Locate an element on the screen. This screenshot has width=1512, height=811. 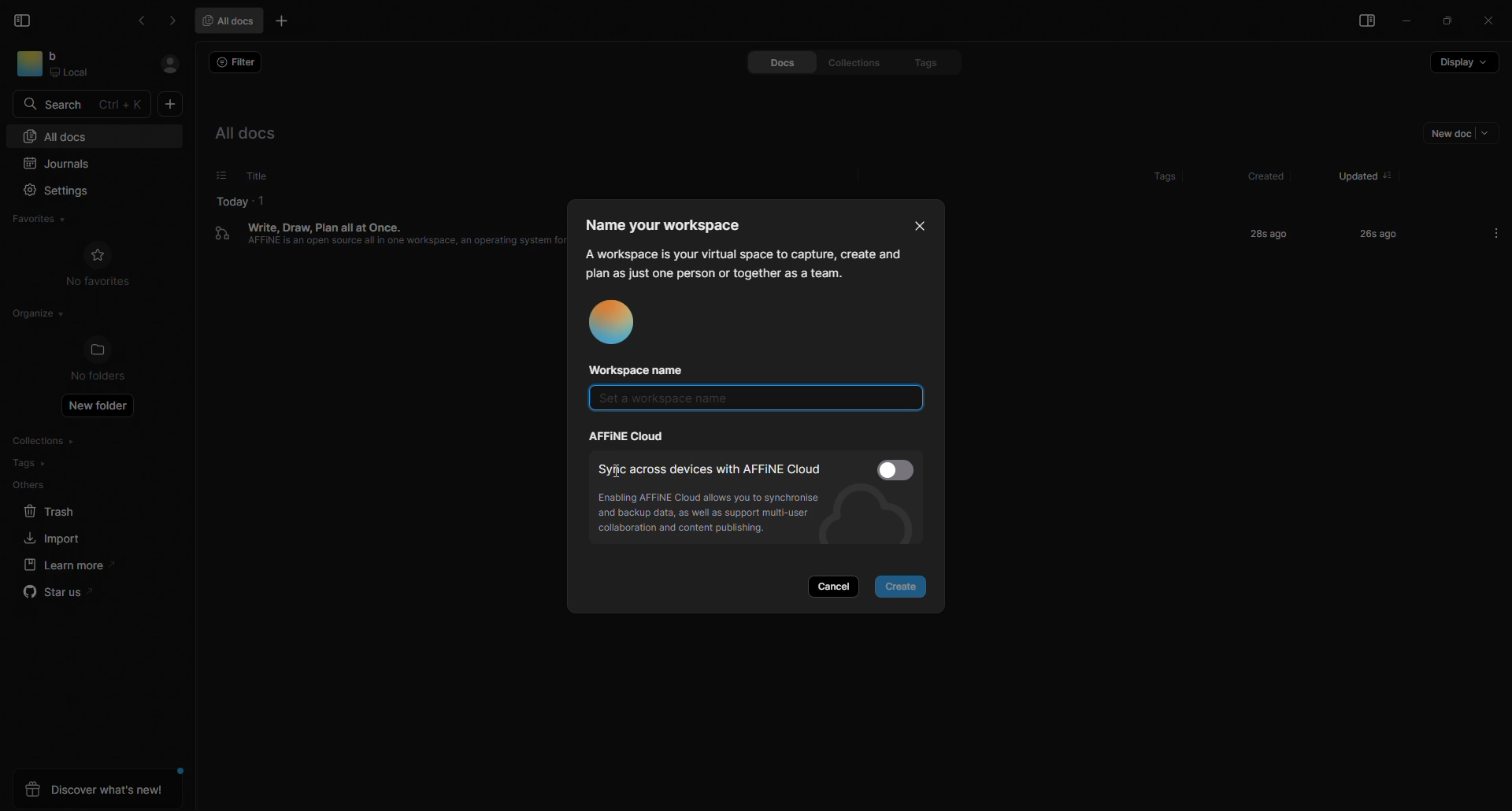
all docs is located at coordinates (57, 135).